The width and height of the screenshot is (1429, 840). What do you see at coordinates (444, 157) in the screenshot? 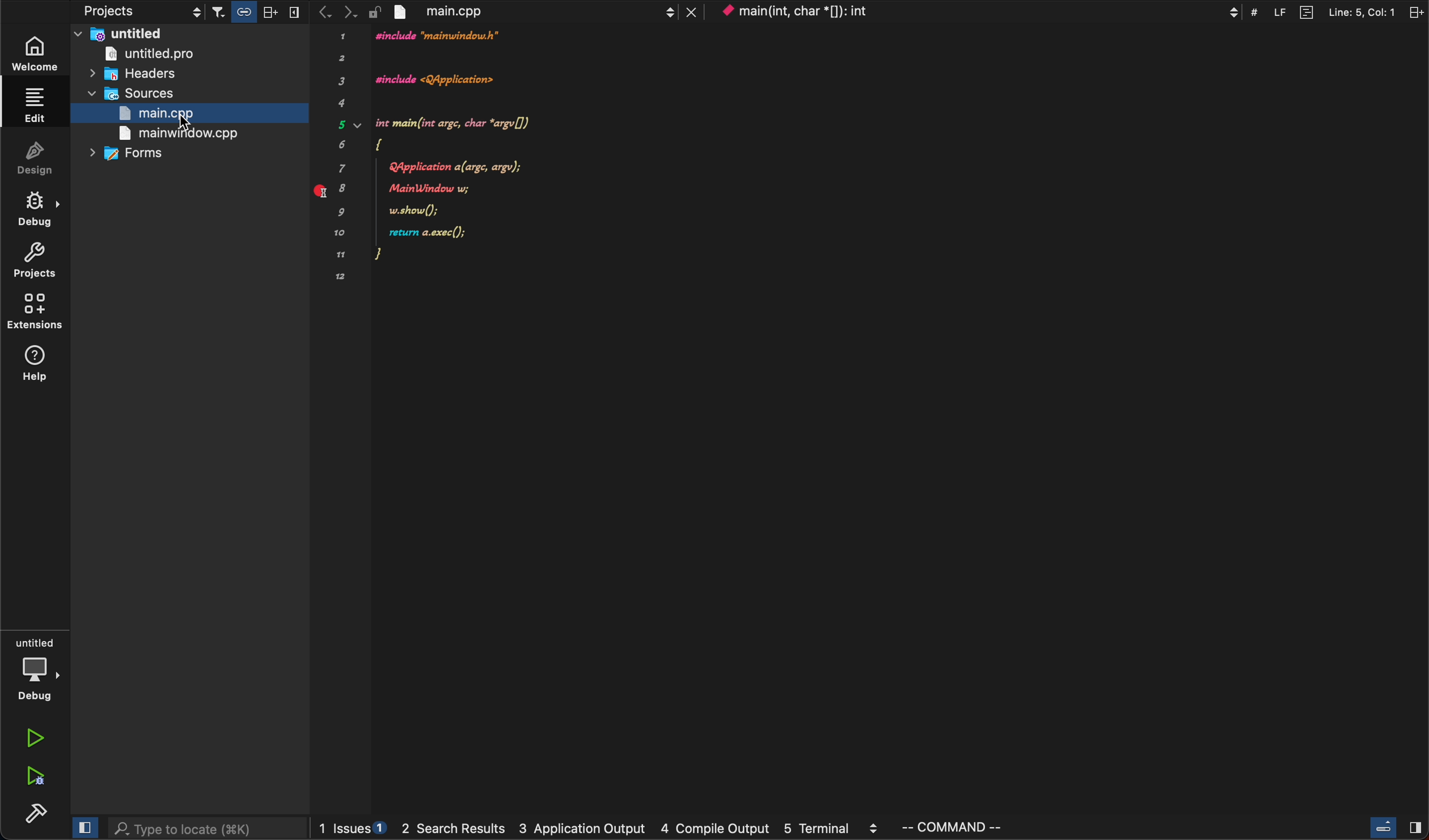
I see `code` at bounding box center [444, 157].